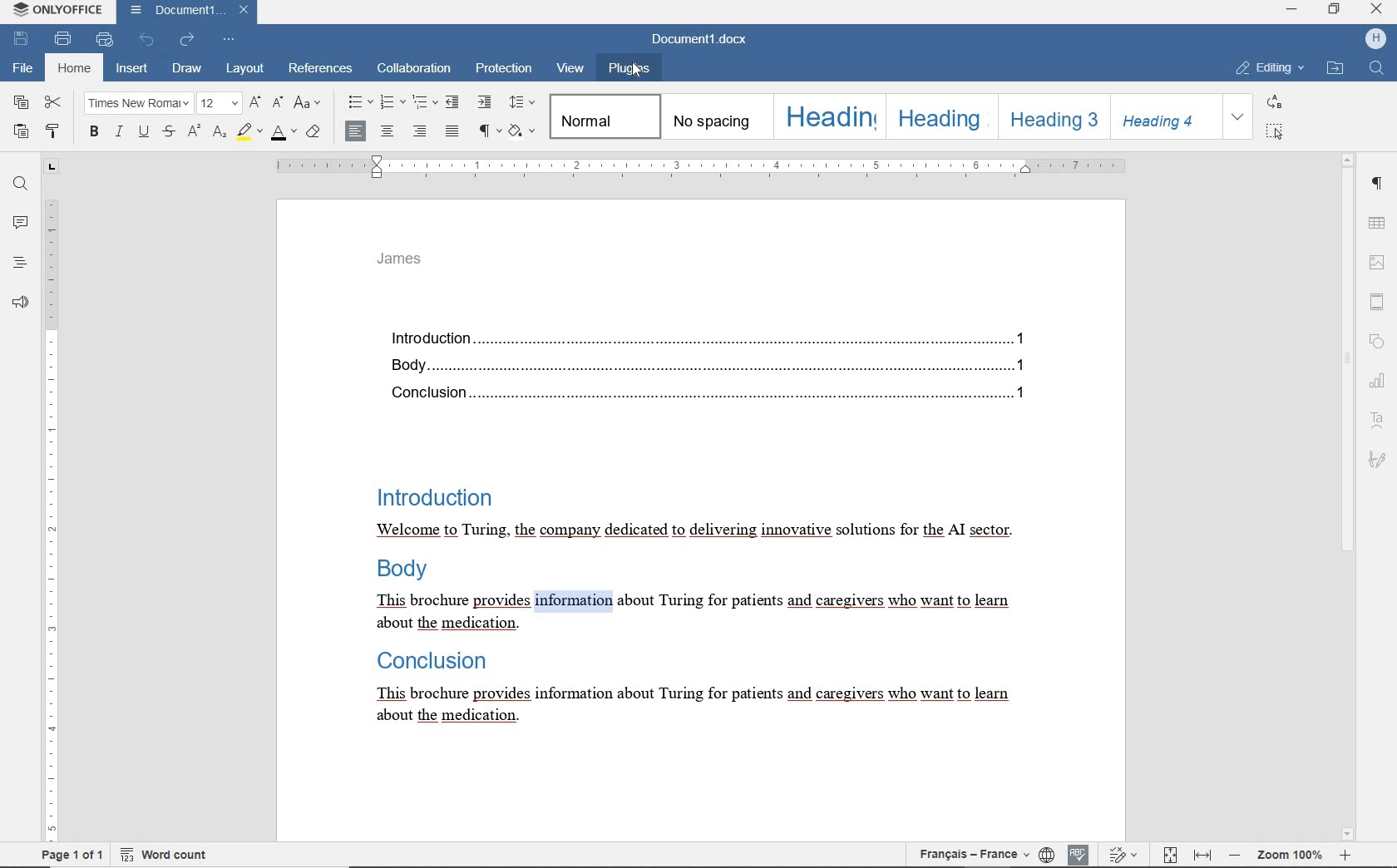 The width and height of the screenshot is (1397, 868). Describe the element at coordinates (143, 133) in the screenshot. I see `UNDERLINE` at that location.